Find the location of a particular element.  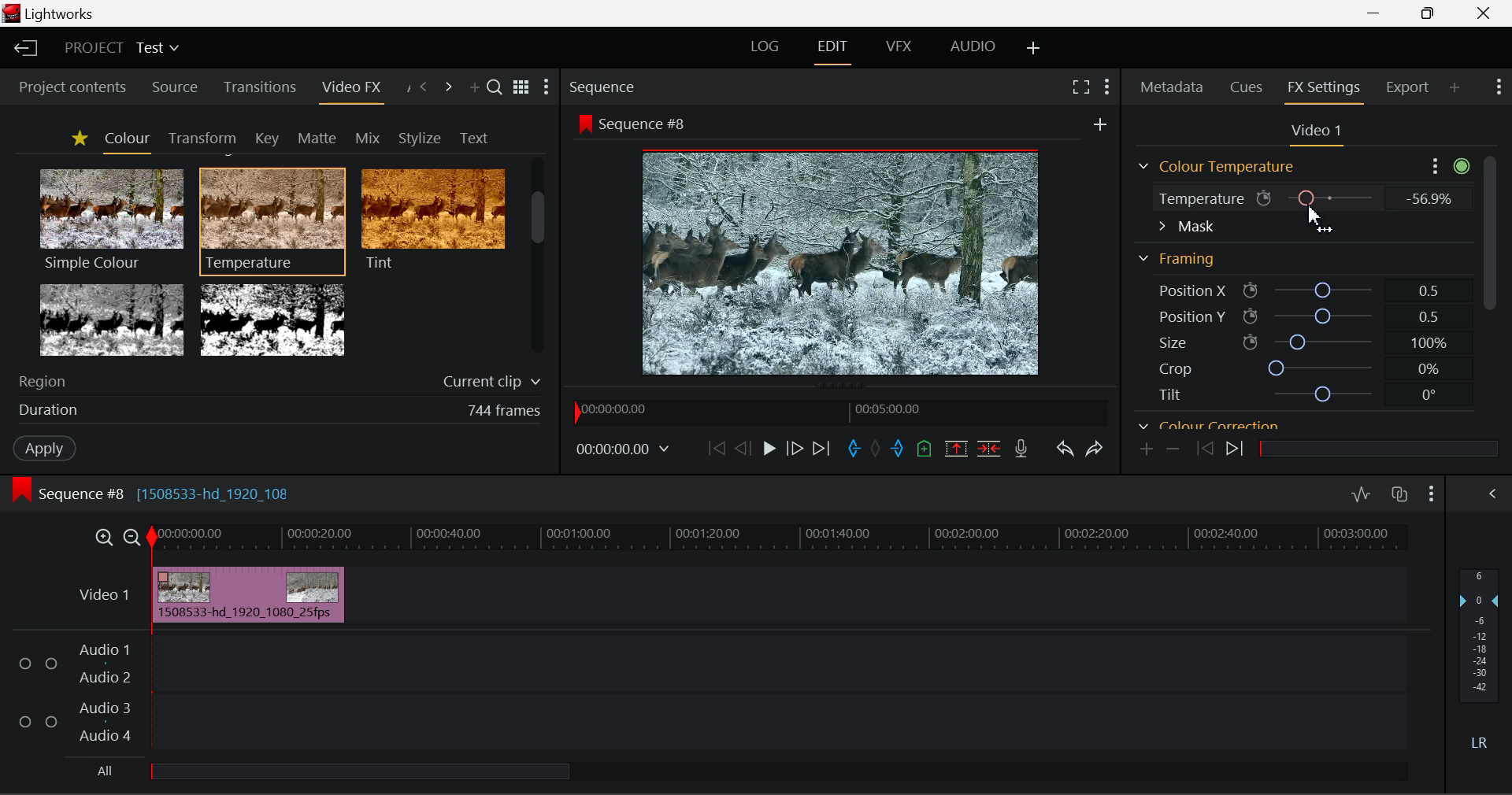

Sequence Preview Screen is located at coordinates (844, 261).